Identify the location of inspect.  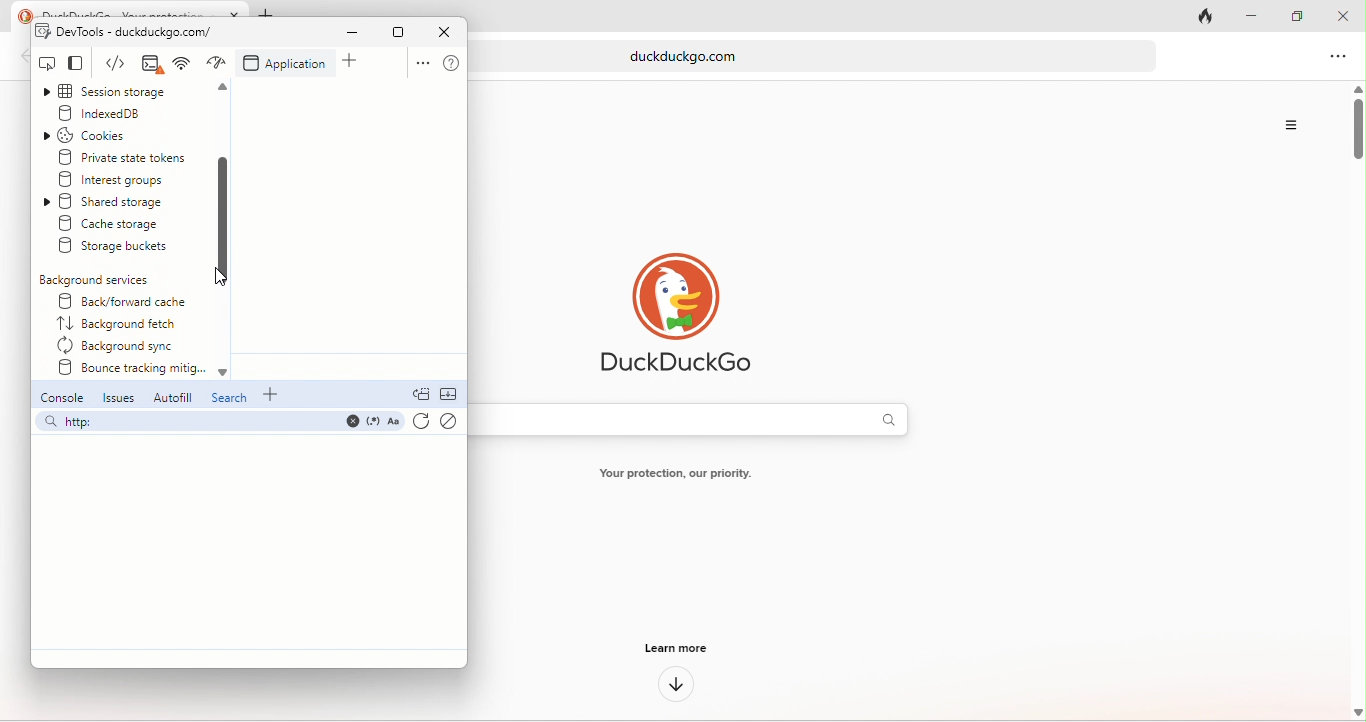
(47, 64).